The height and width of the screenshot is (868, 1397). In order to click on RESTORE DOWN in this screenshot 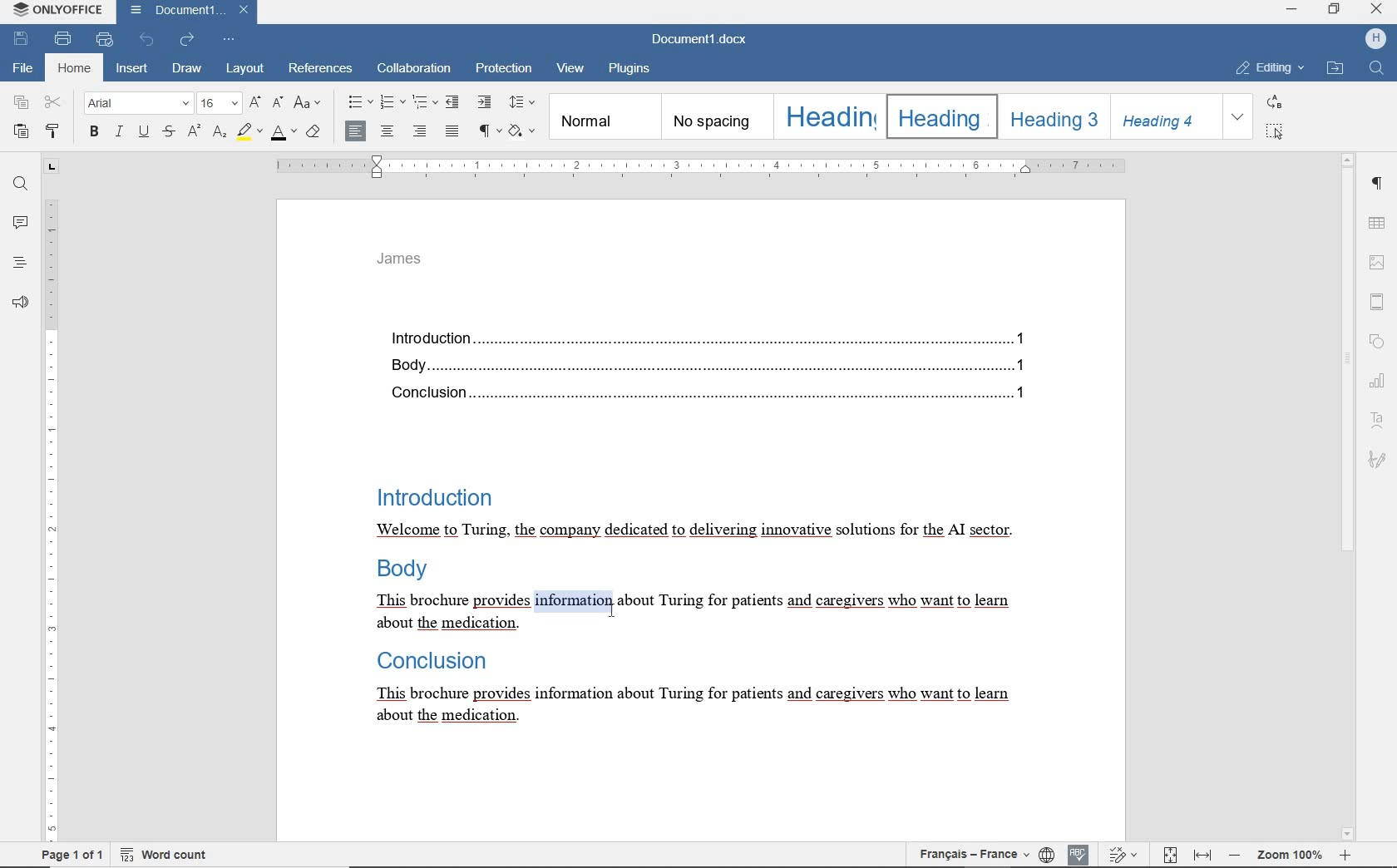, I will do `click(1335, 9)`.